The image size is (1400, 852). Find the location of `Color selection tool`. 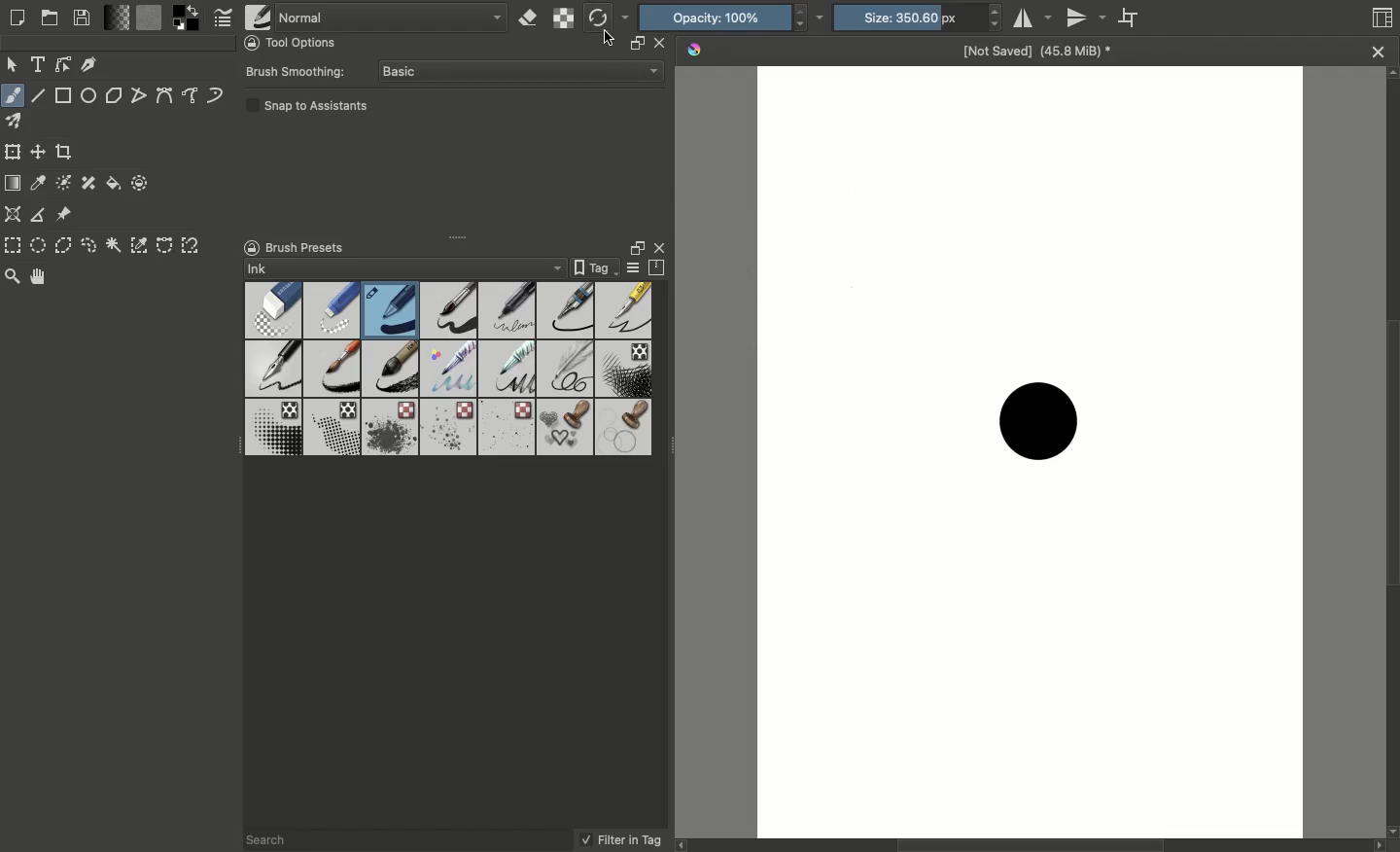

Color selection tool is located at coordinates (140, 244).